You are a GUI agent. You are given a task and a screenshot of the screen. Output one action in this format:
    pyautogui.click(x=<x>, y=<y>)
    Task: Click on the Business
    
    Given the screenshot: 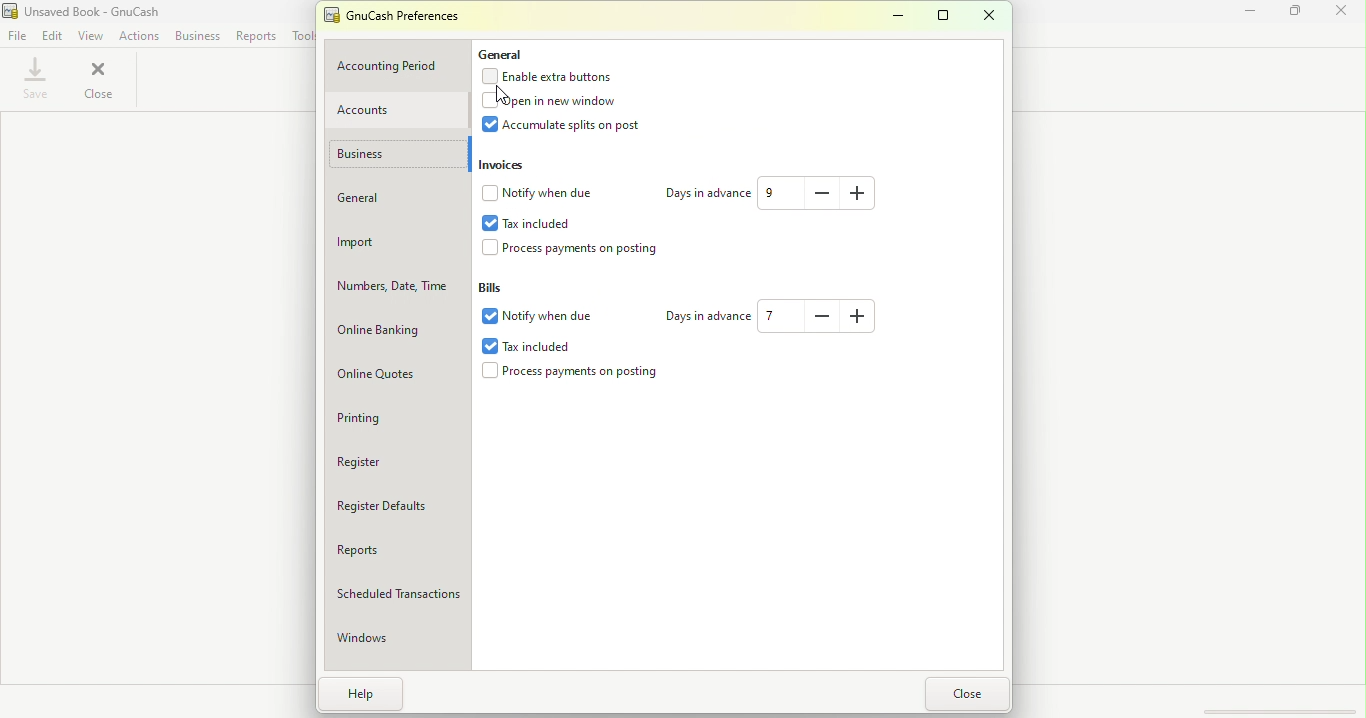 What is the action you would take?
    pyautogui.click(x=198, y=36)
    